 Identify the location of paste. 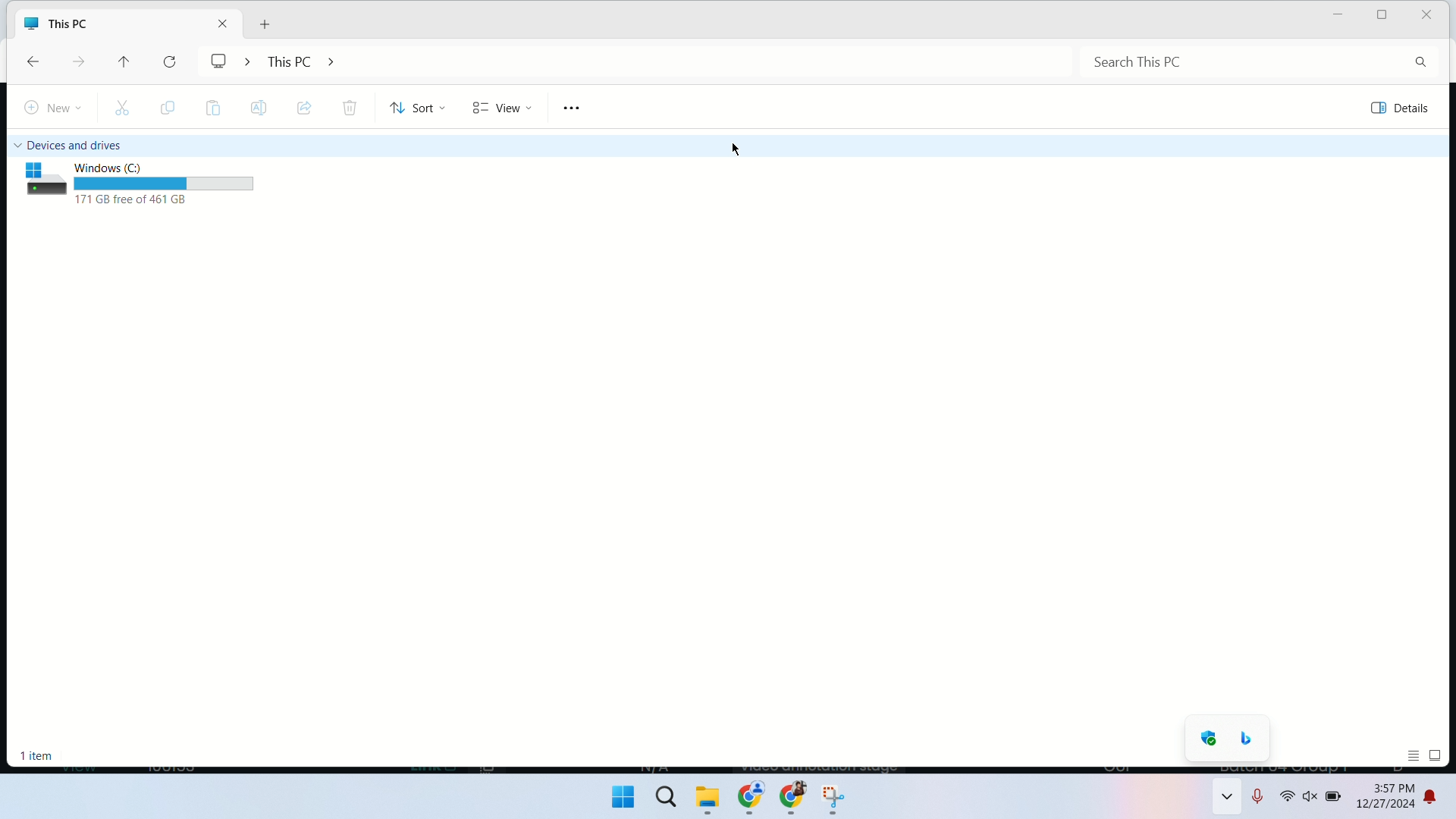
(219, 110).